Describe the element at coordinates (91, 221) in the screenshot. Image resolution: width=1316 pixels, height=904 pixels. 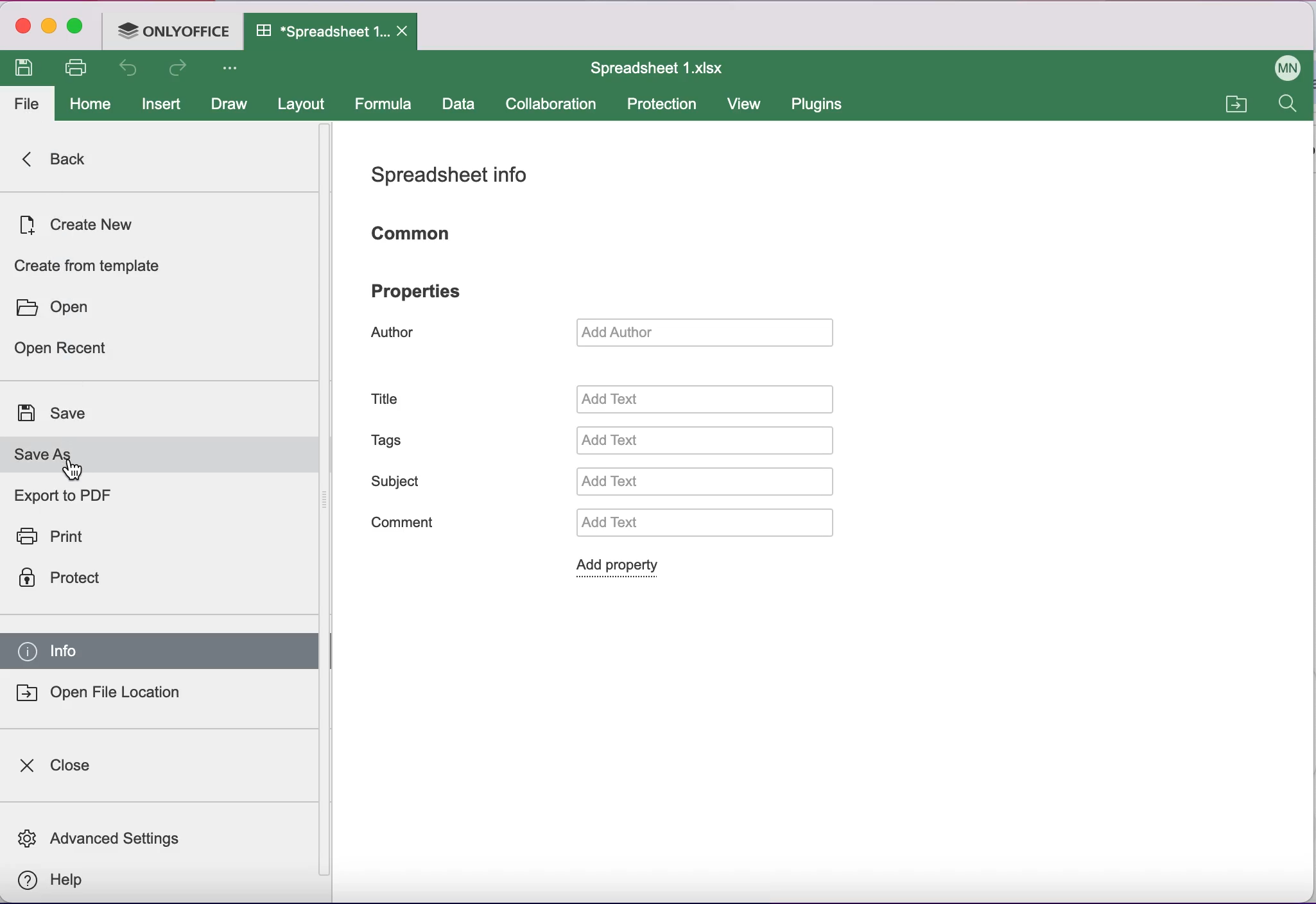
I see `create new` at that location.